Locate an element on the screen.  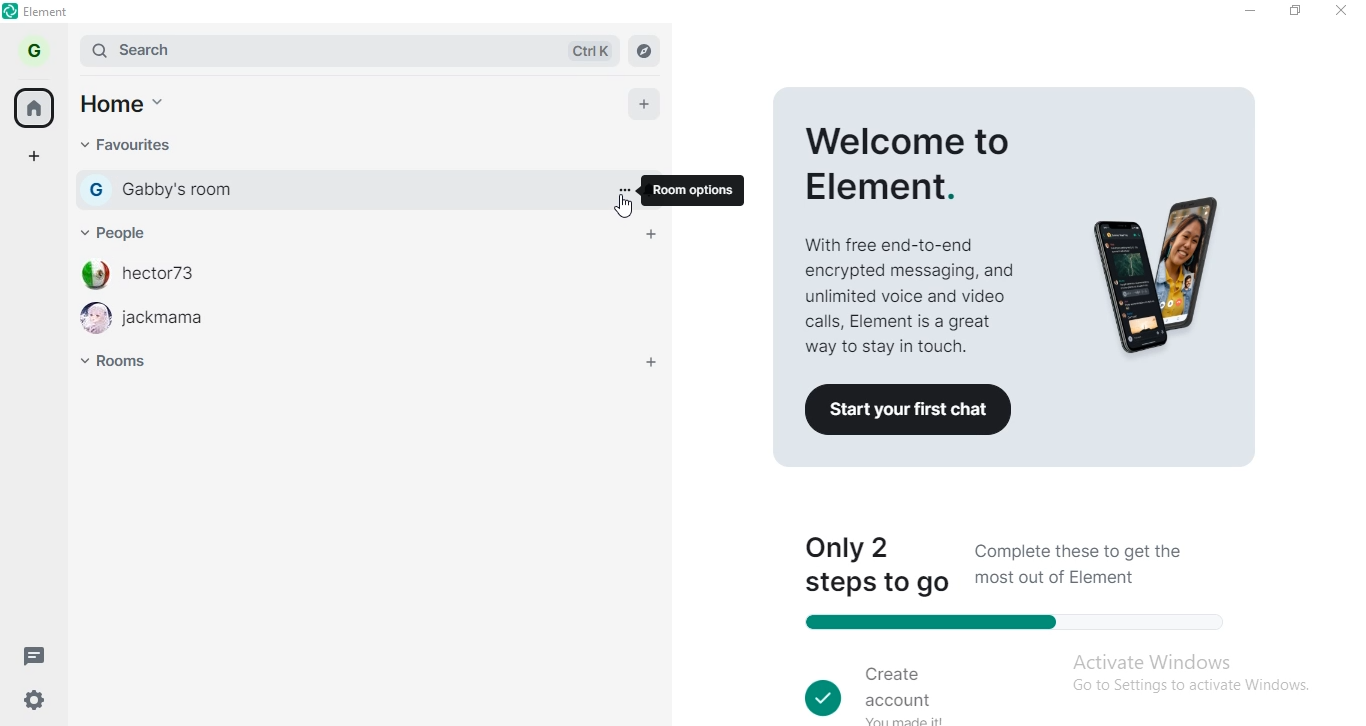
room options is located at coordinates (691, 191).